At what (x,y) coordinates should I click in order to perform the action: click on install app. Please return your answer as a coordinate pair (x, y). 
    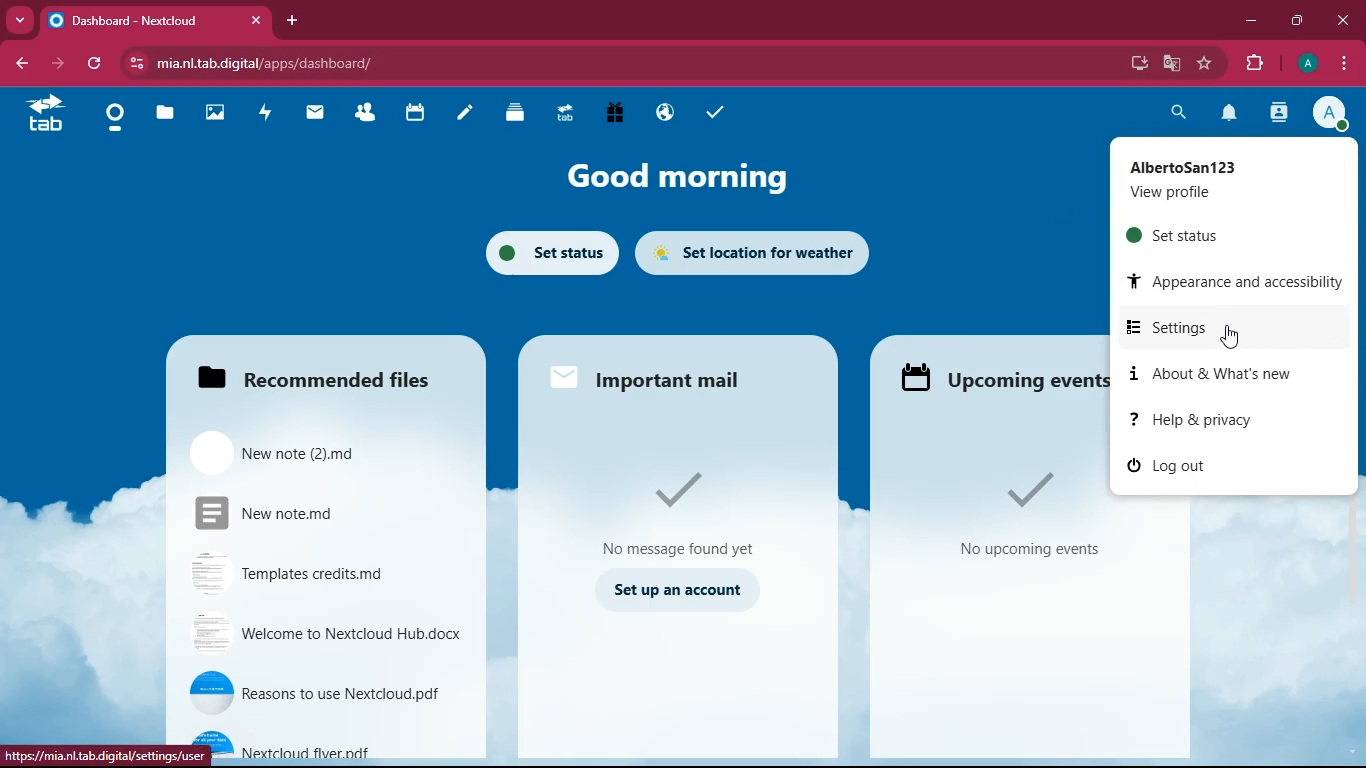
    Looking at the image, I should click on (1138, 63).